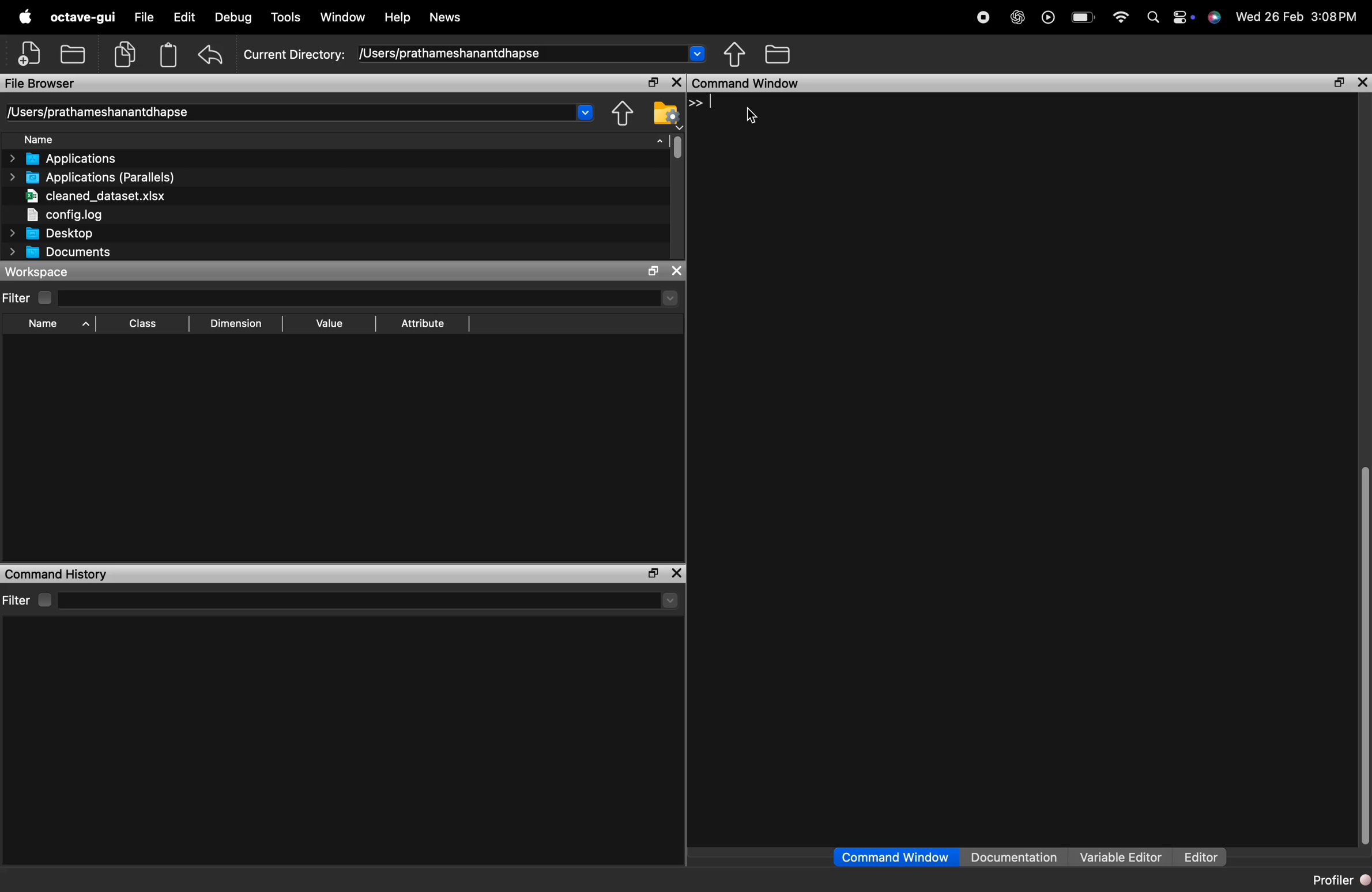 This screenshot has width=1372, height=892. I want to click on Browse directories, so click(733, 54).